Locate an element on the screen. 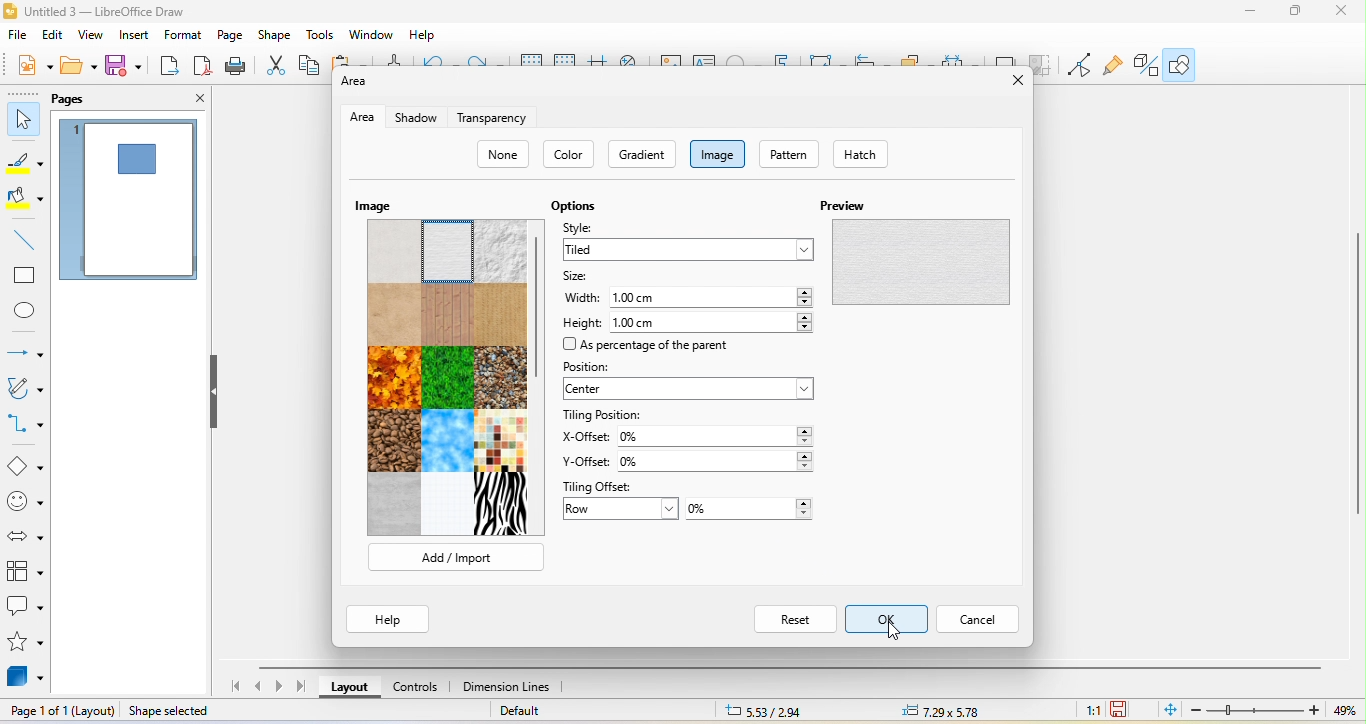  none is located at coordinates (502, 152).